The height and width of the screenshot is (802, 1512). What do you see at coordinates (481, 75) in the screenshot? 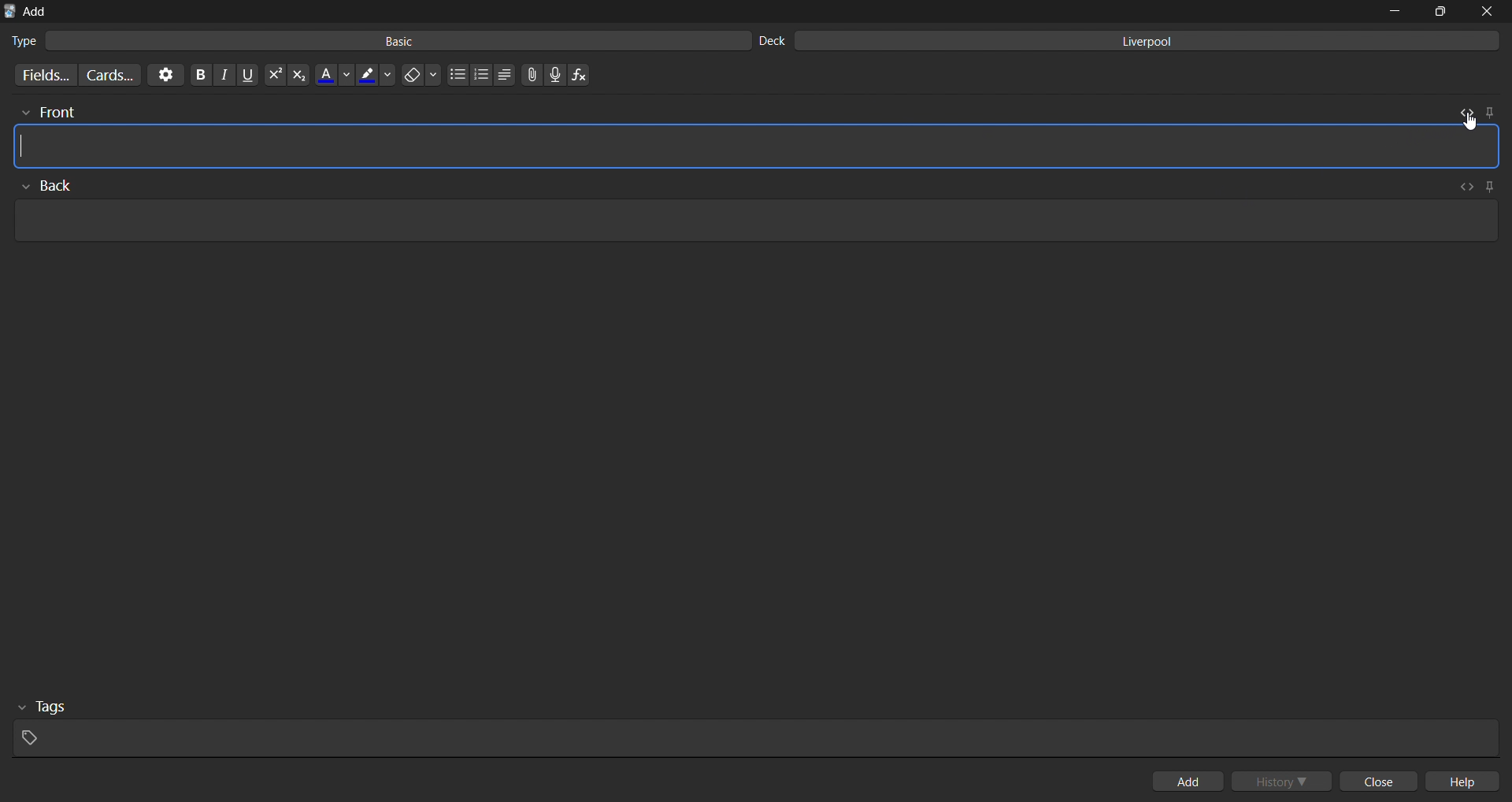
I see `ordered list` at bounding box center [481, 75].